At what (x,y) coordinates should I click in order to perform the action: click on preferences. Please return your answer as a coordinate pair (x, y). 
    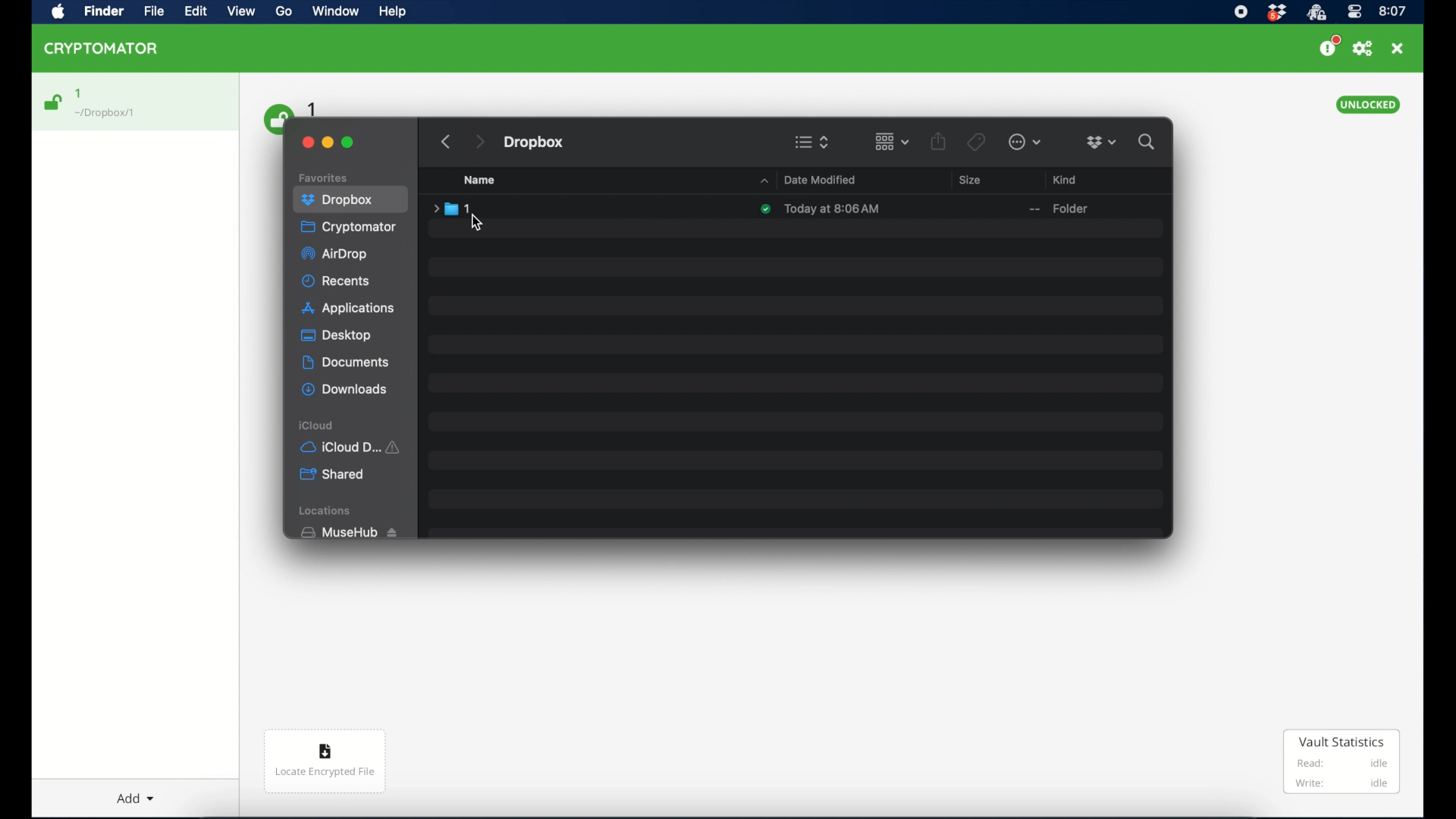
    Looking at the image, I should click on (1363, 49).